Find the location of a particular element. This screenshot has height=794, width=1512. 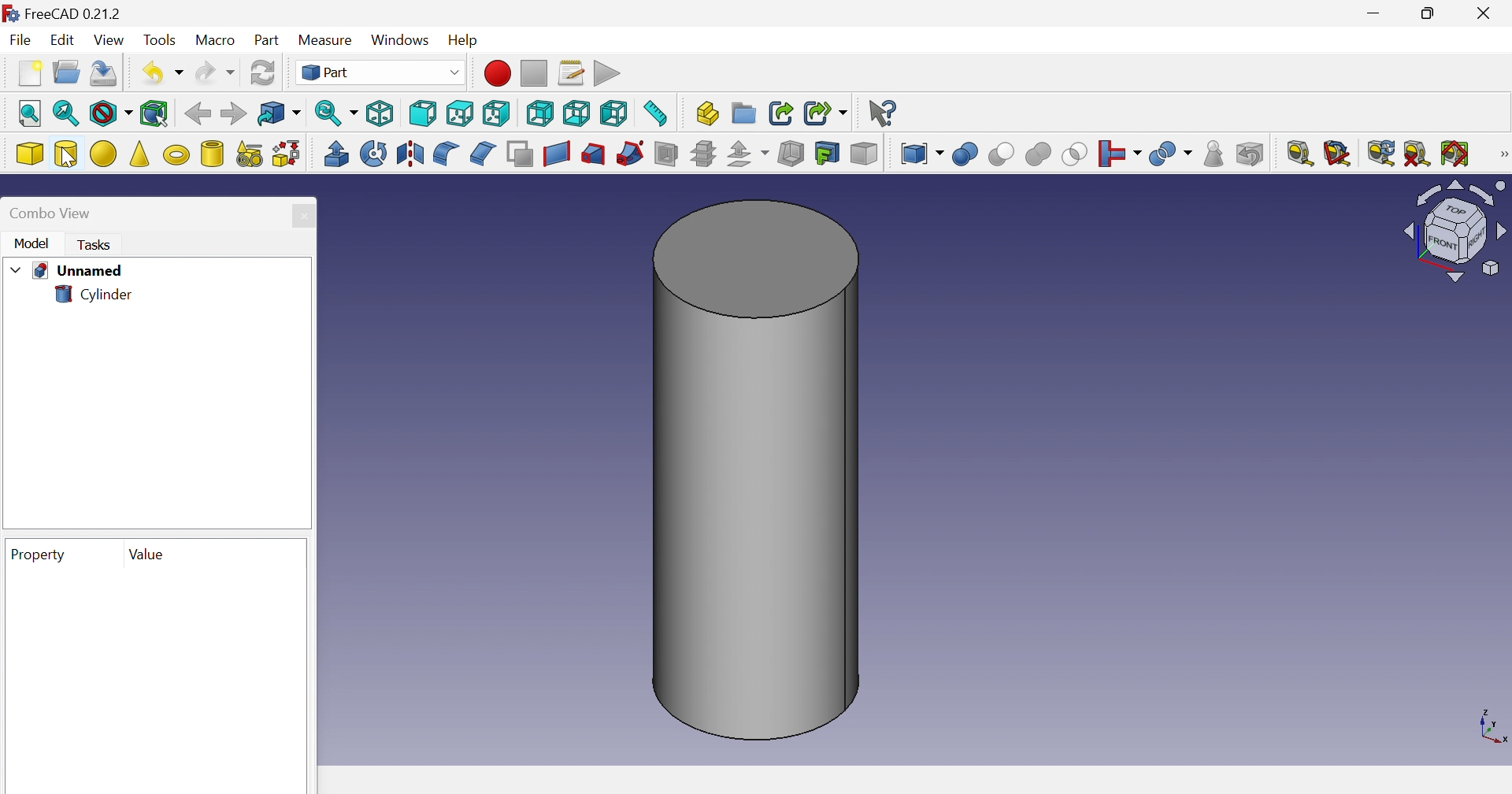

Revolve is located at coordinates (375, 154).